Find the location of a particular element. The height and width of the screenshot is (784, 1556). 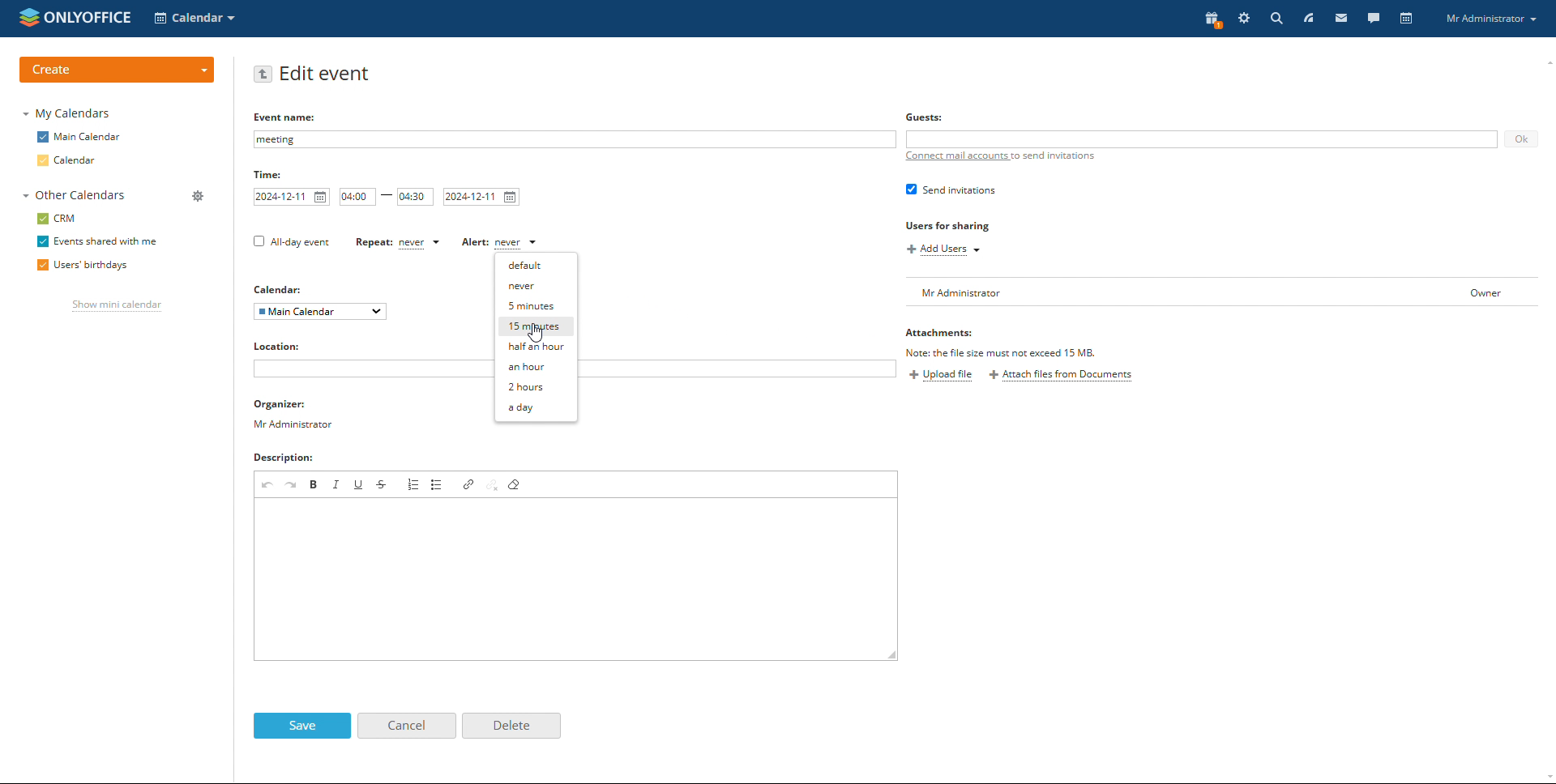

half an hour is located at coordinates (536, 347).